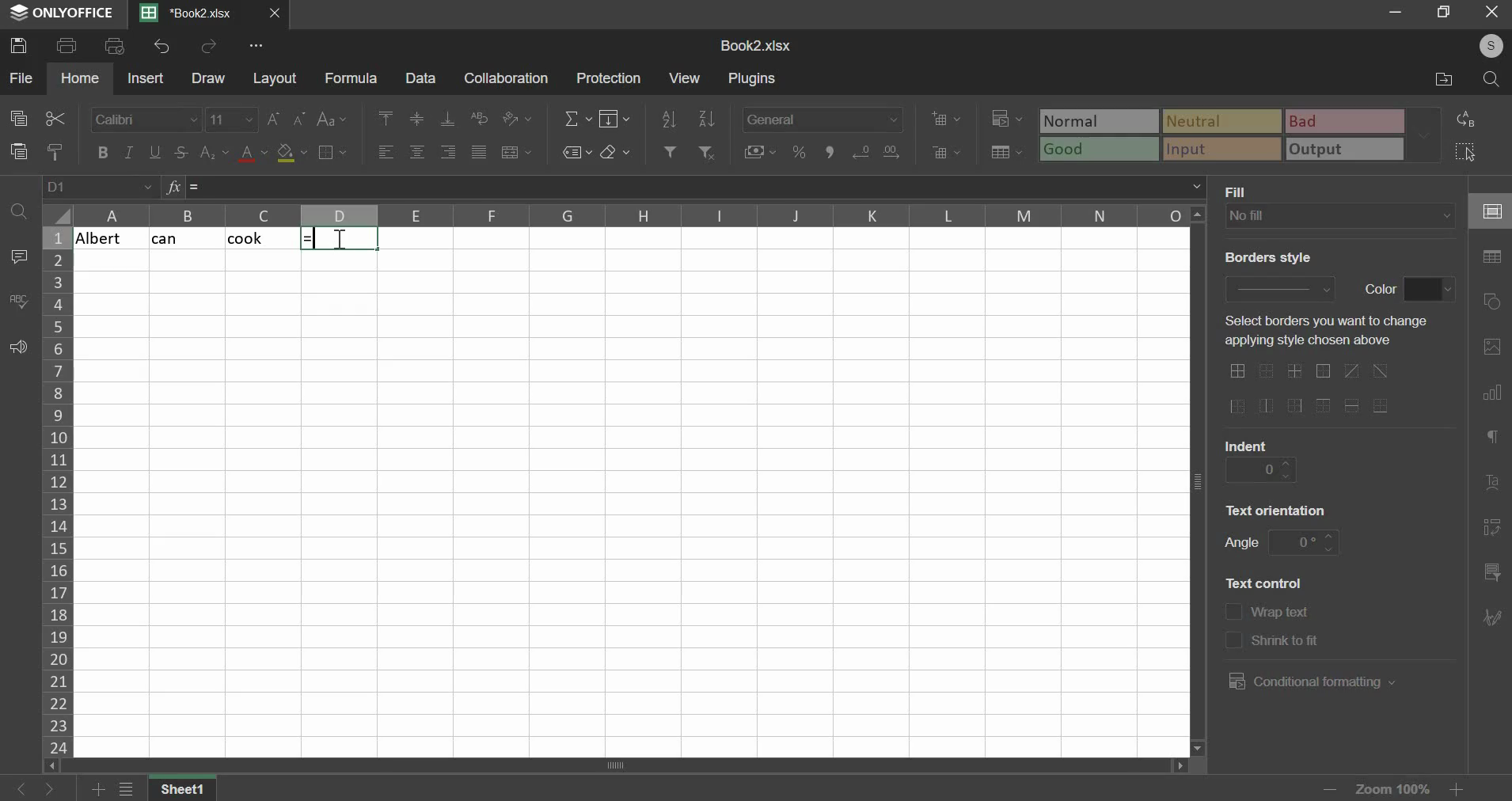 The width and height of the screenshot is (1512, 801). Describe the element at coordinates (20, 788) in the screenshot. I see `go back` at that location.